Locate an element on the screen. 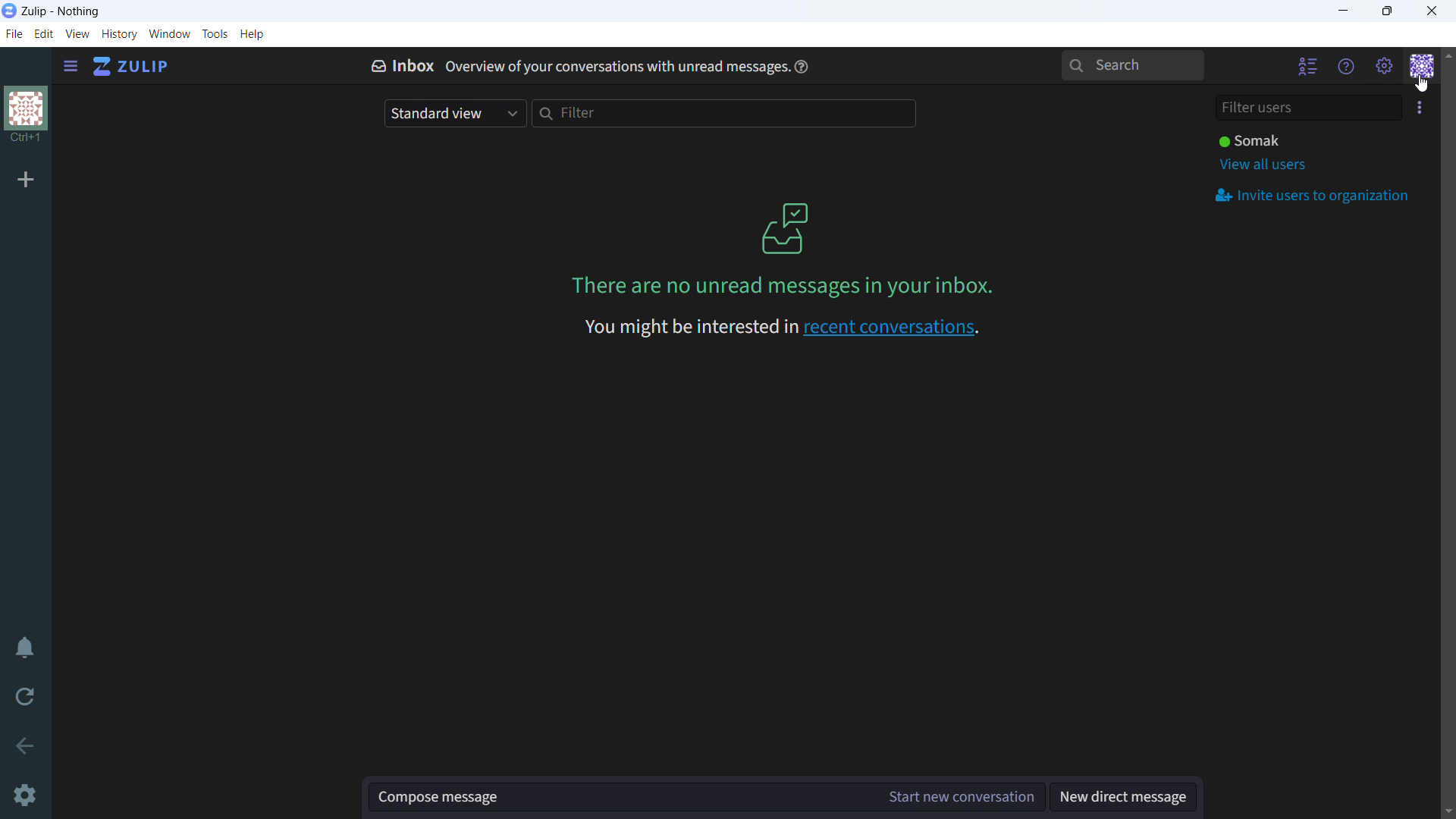  add organization is located at coordinates (26, 179).